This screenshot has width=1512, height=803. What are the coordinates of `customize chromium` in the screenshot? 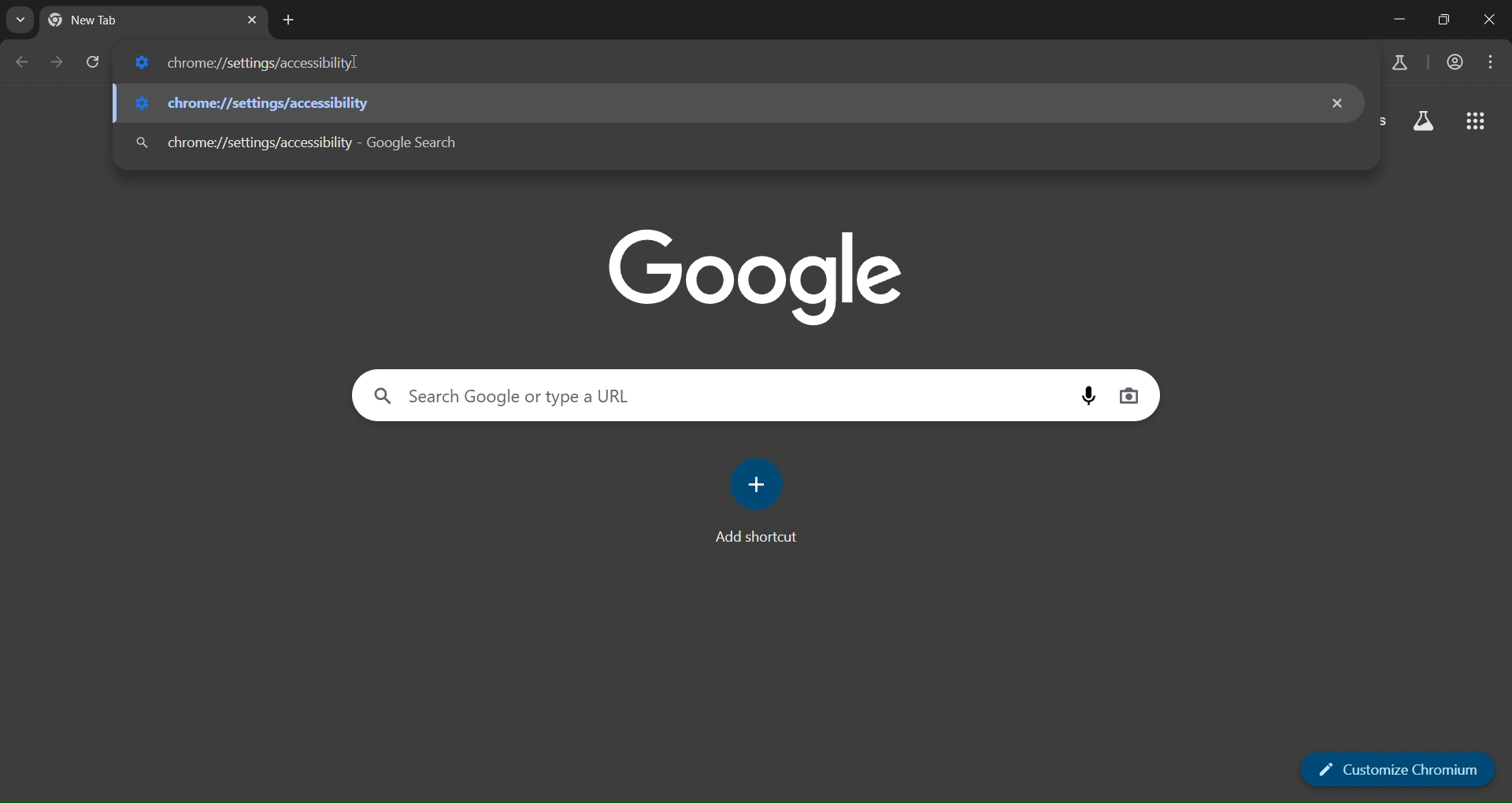 It's located at (1399, 772).